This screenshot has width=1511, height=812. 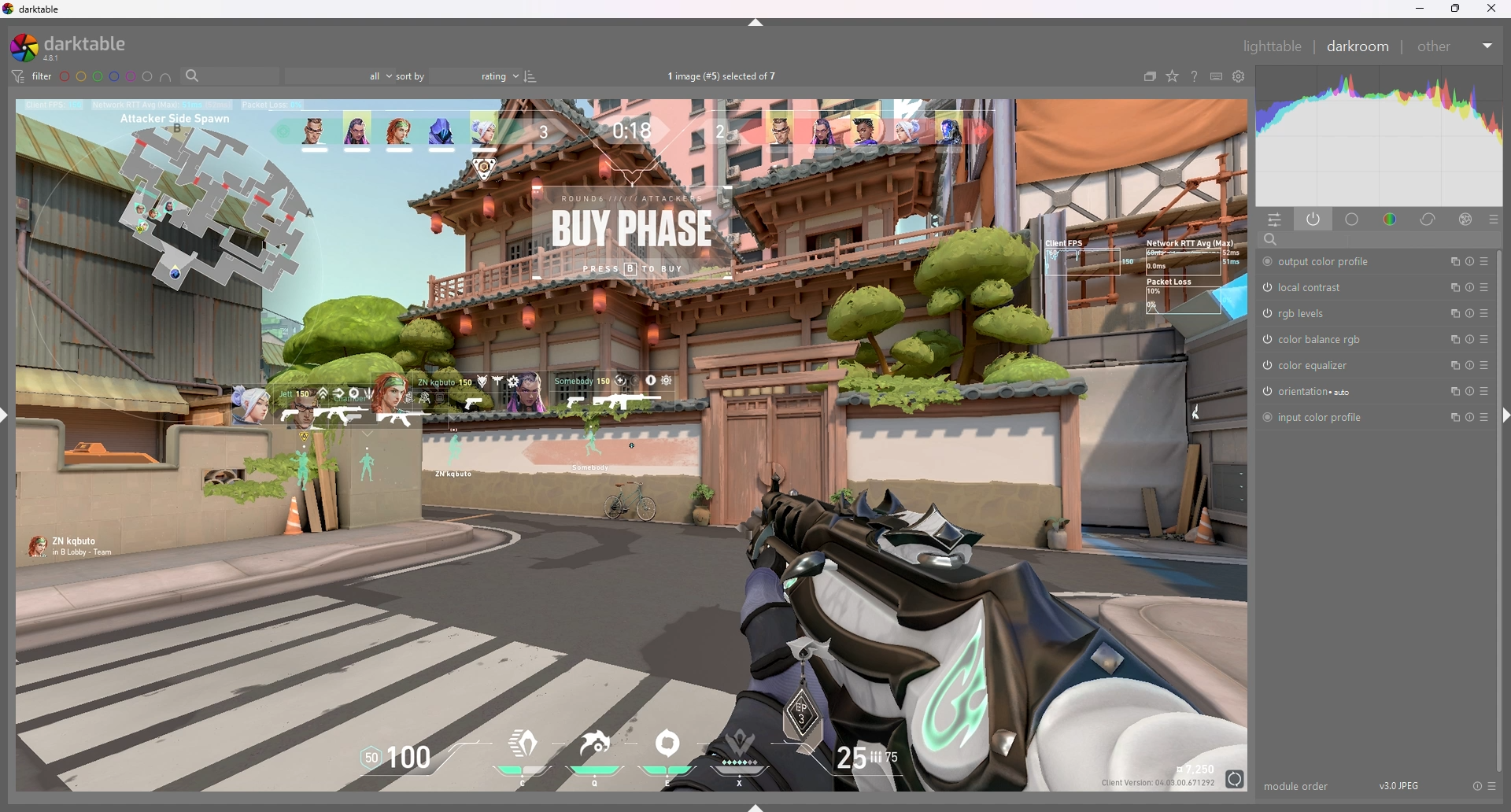 What do you see at coordinates (1274, 46) in the screenshot?
I see `lighttable` at bounding box center [1274, 46].